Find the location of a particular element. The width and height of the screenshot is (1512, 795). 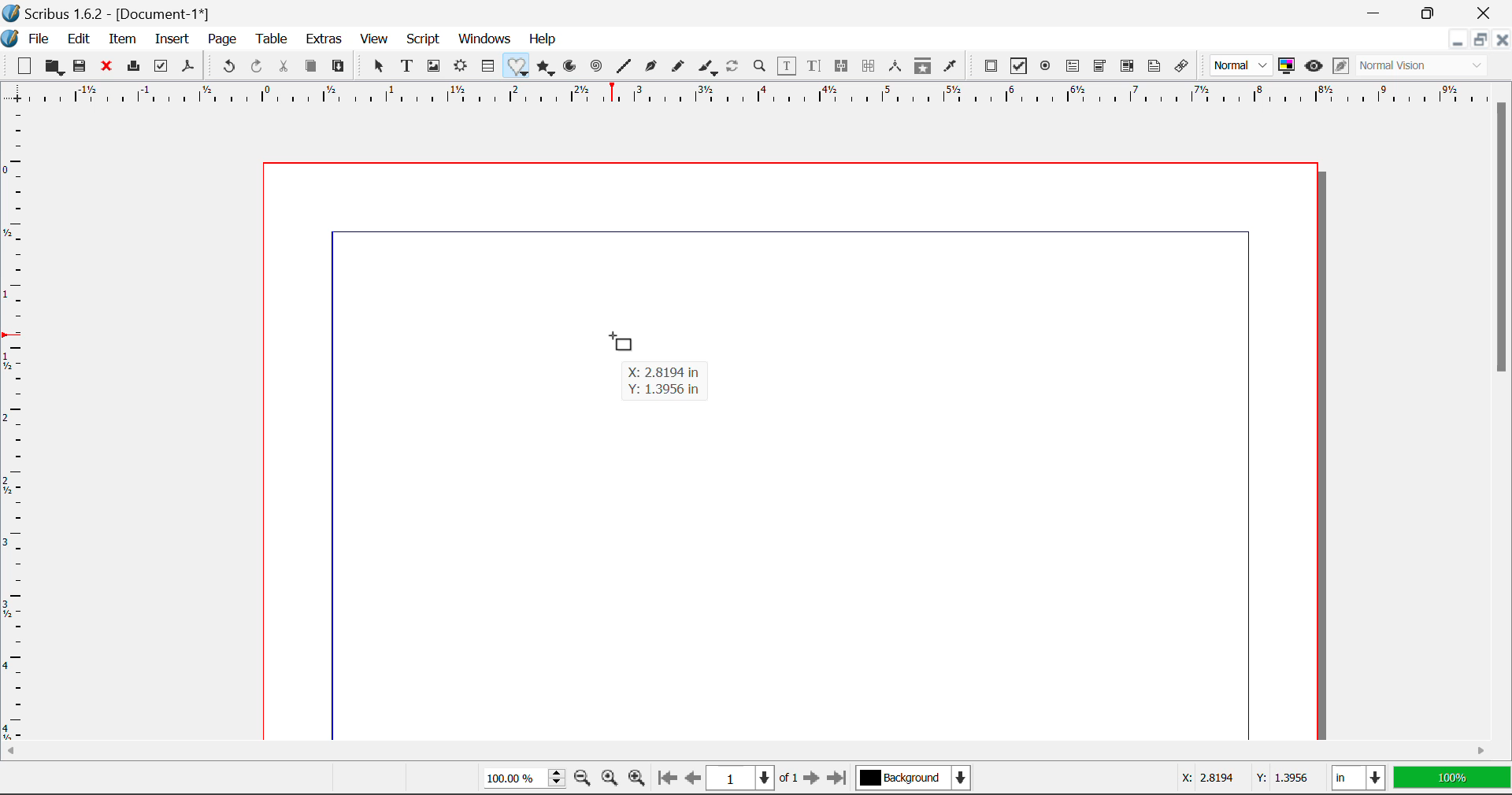

Page is located at coordinates (224, 39).